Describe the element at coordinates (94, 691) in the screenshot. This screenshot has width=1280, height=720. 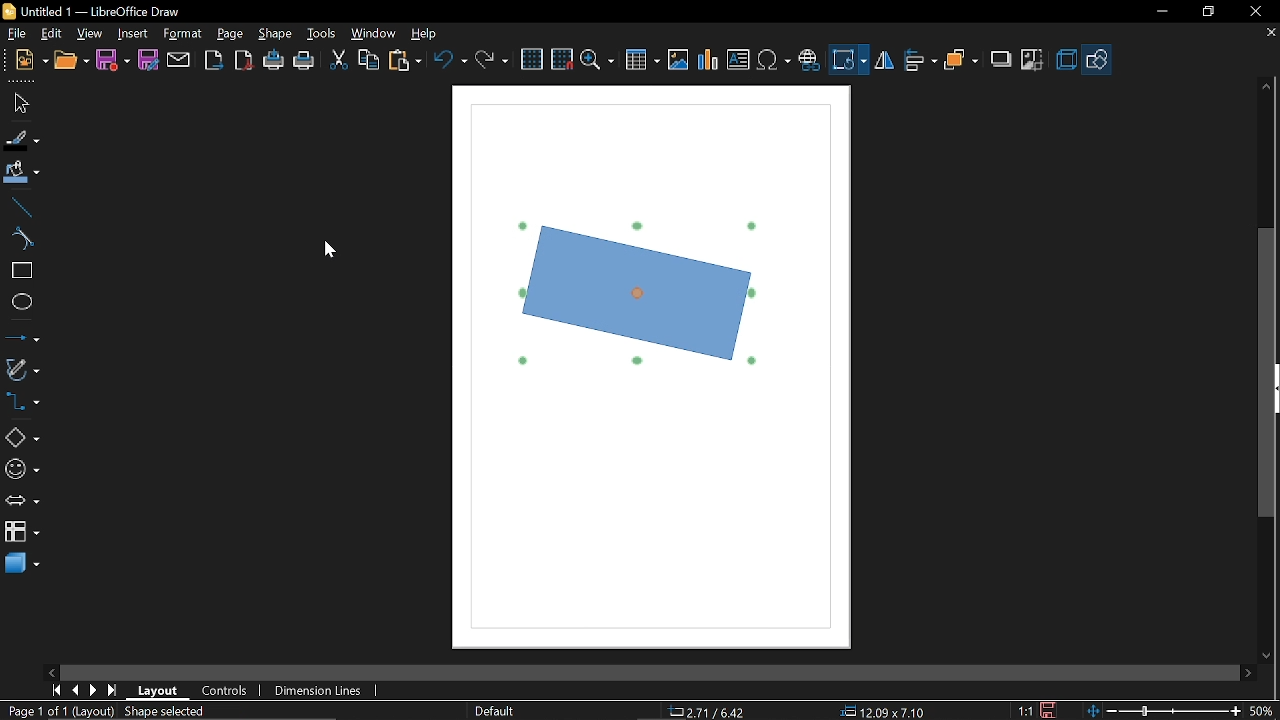
I see `next page` at that location.